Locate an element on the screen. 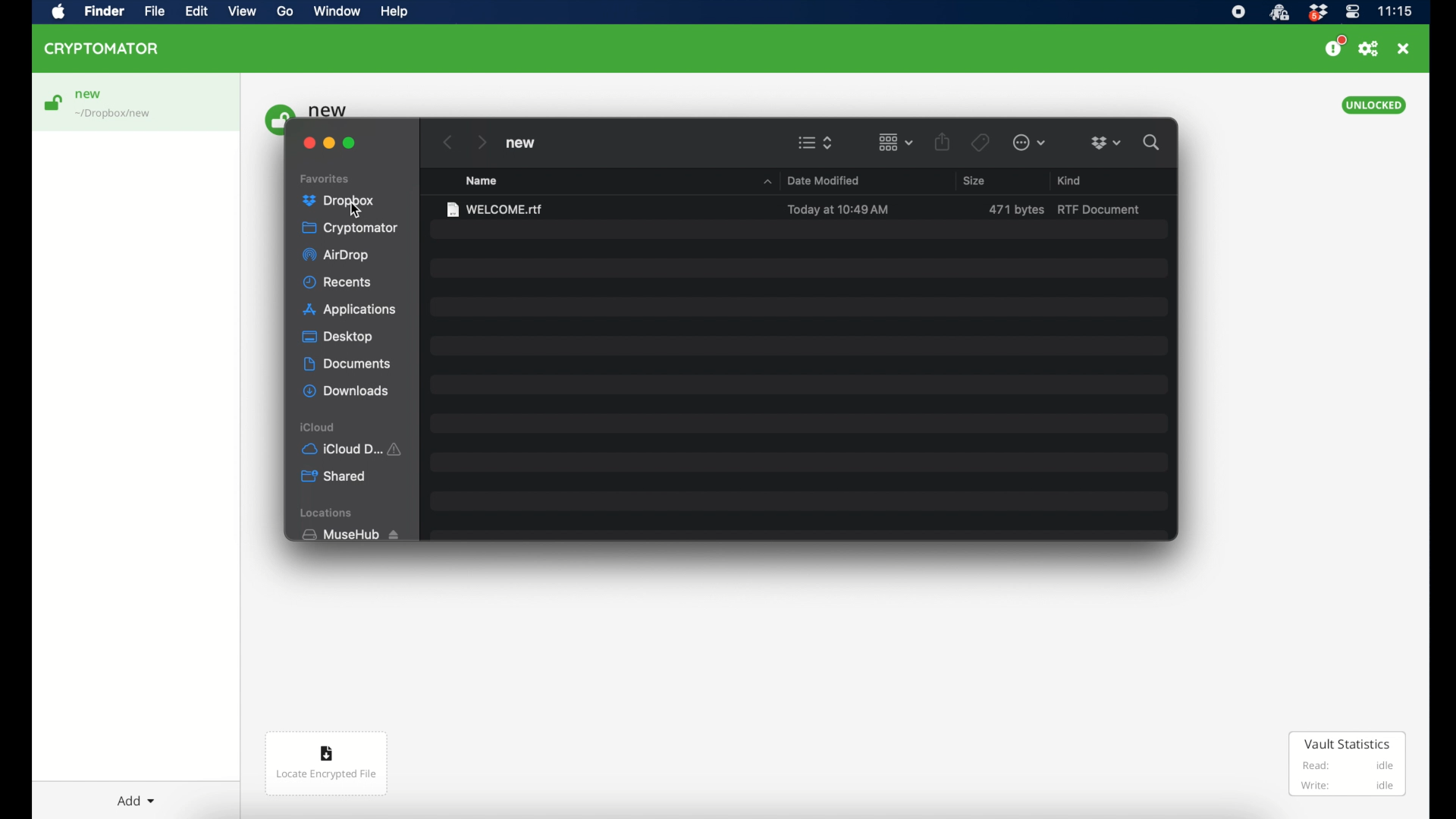  location is located at coordinates (115, 115).